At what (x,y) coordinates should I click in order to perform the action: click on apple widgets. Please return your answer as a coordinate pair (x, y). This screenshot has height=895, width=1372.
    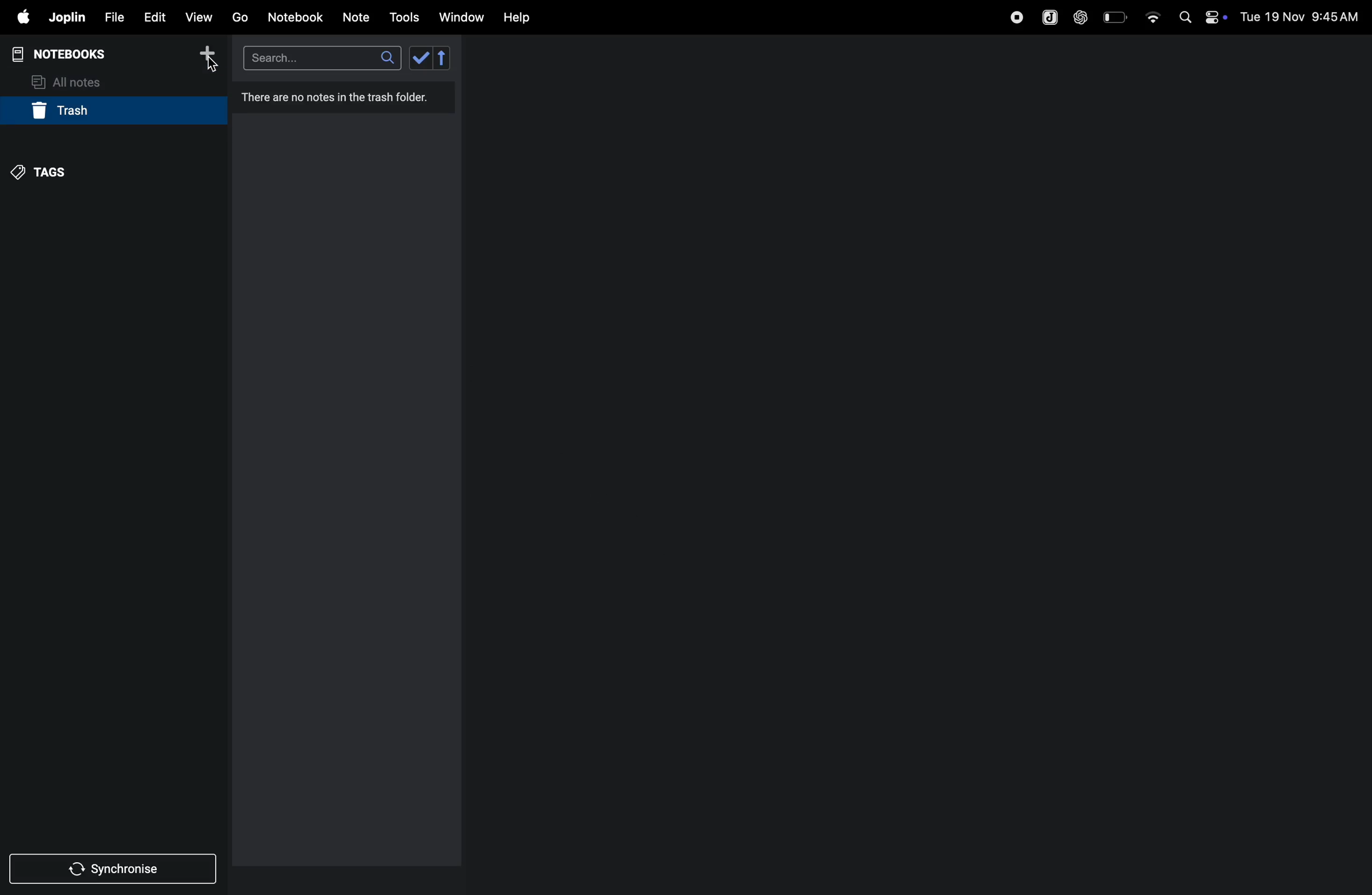
    Looking at the image, I should click on (1200, 16).